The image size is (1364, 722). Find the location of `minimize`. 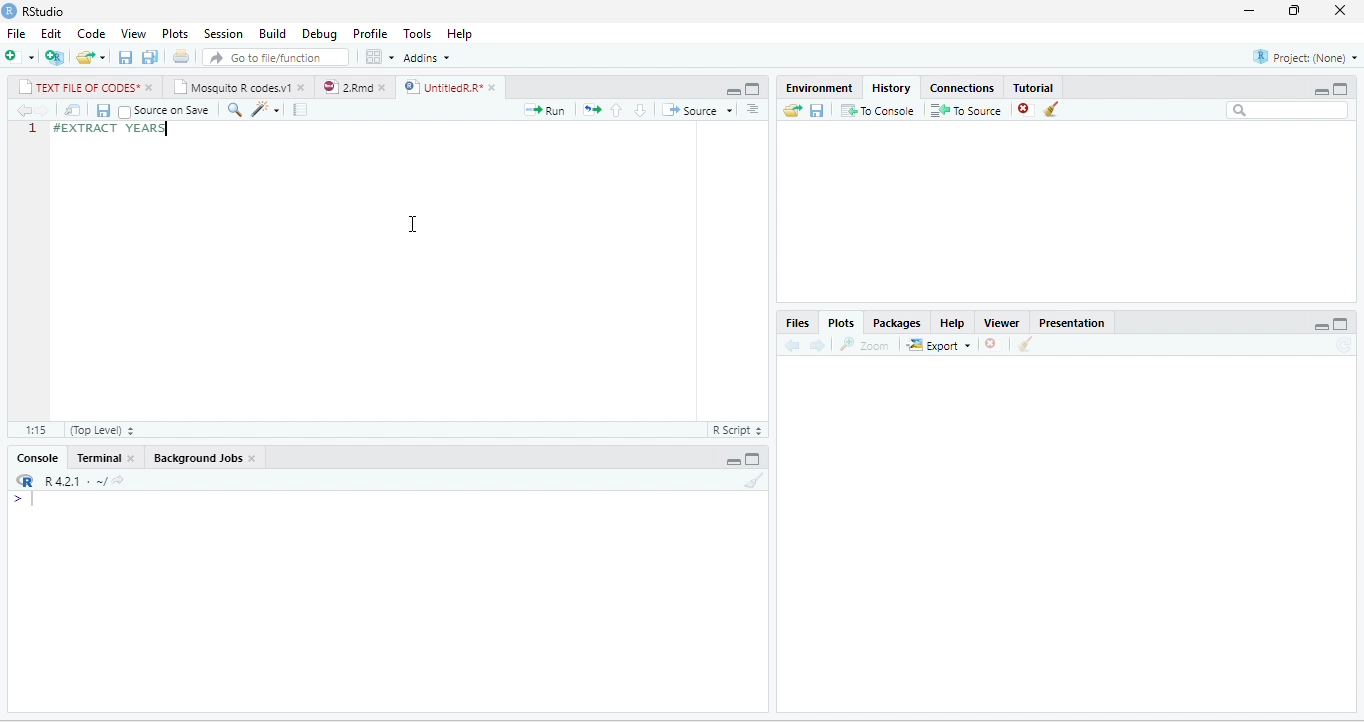

minimize is located at coordinates (733, 462).